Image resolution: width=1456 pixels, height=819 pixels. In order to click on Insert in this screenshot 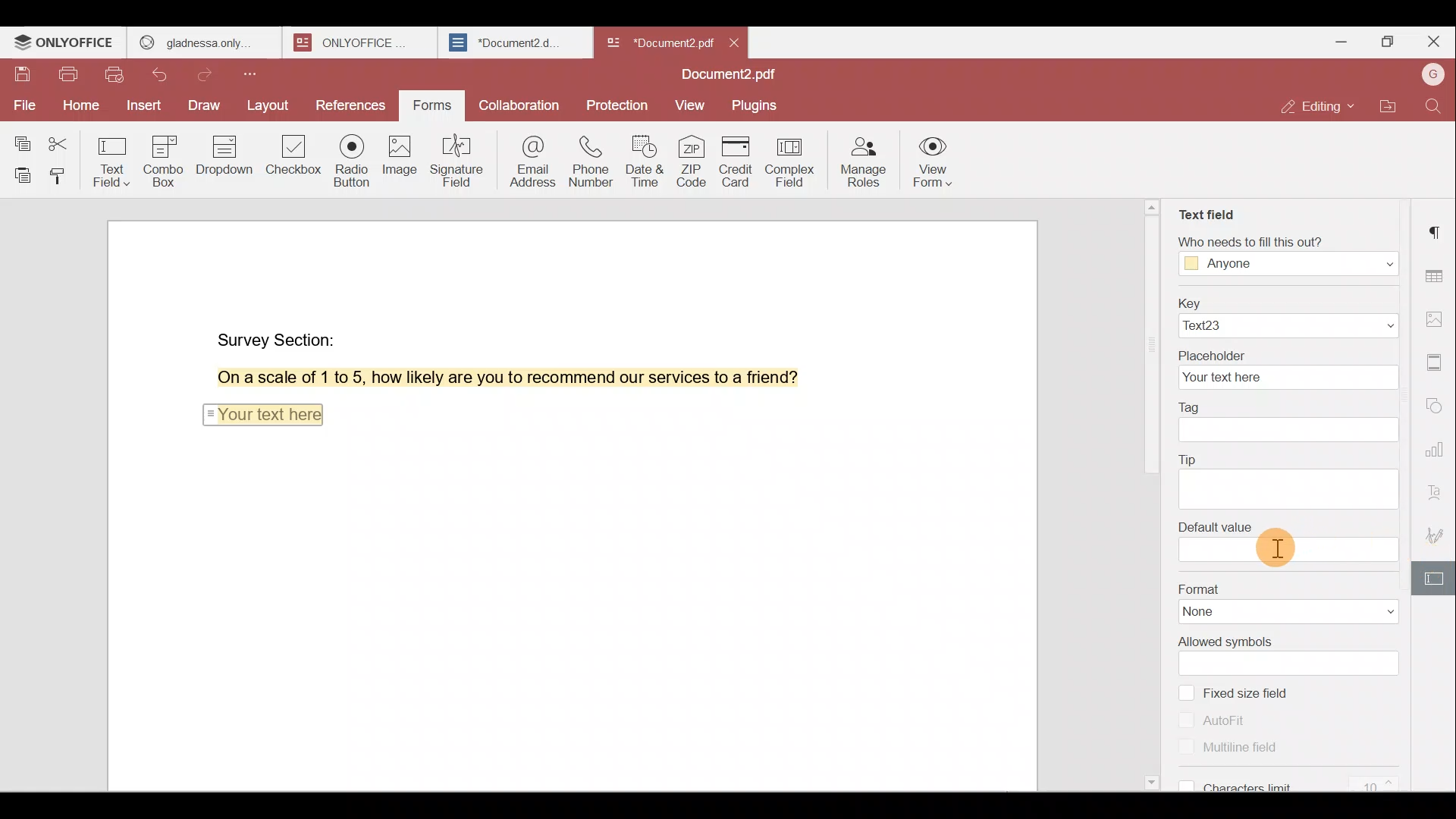, I will do `click(144, 107)`.